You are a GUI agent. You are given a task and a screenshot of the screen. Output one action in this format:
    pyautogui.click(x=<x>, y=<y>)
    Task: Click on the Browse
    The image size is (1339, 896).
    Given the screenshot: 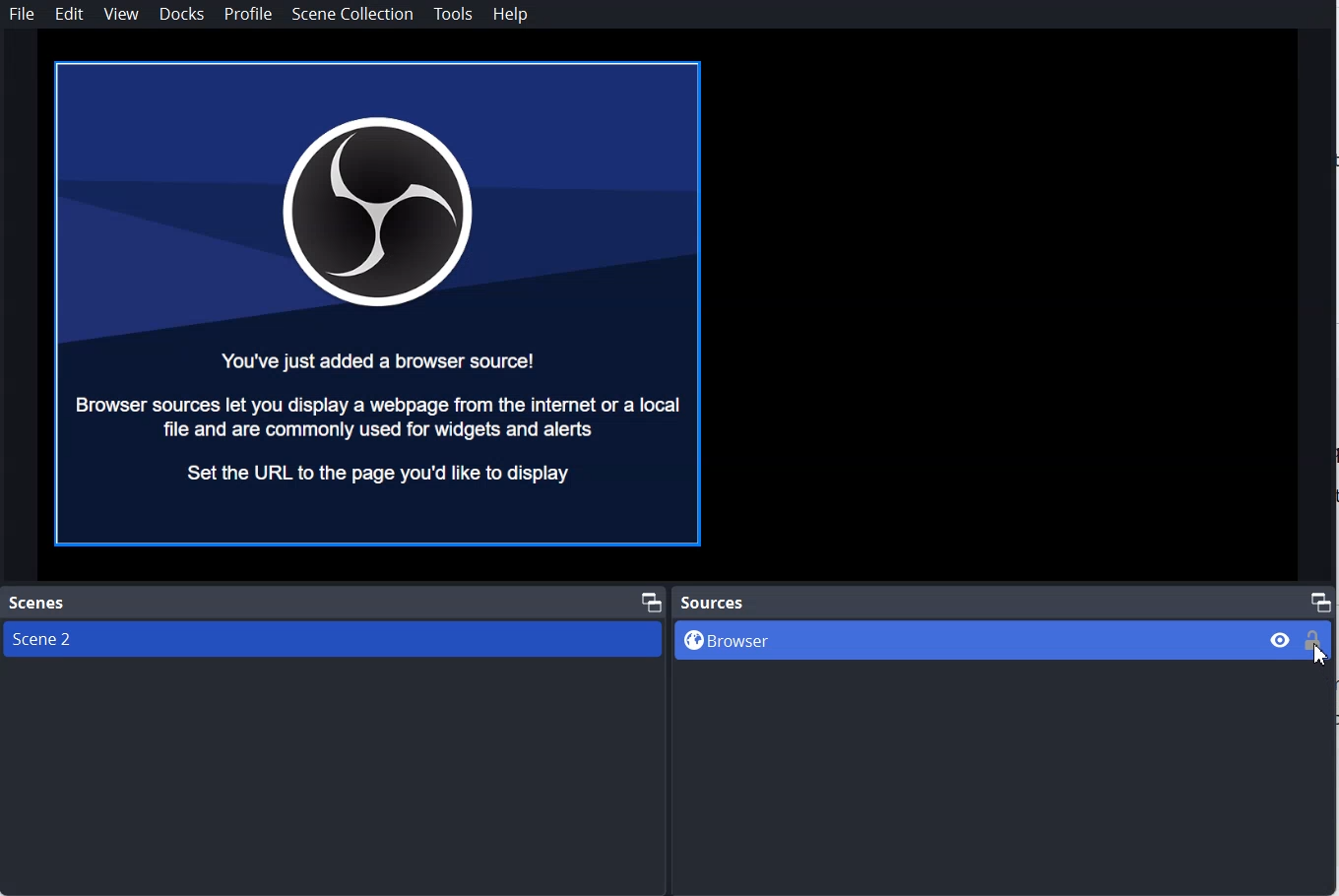 What is the action you would take?
    pyautogui.click(x=963, y=641)
    